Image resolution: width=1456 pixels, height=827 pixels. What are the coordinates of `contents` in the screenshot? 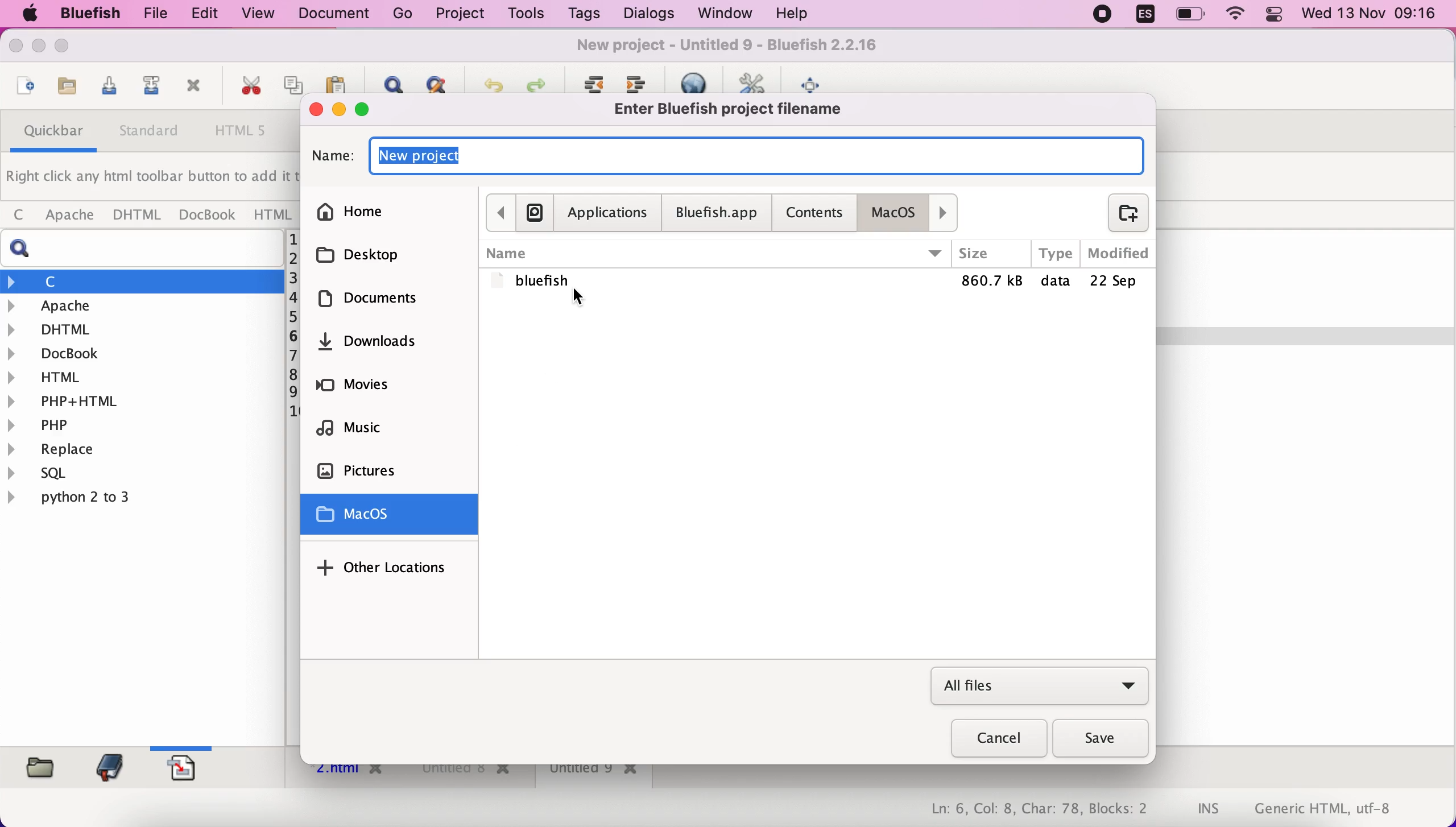 It's located at (817, 212).